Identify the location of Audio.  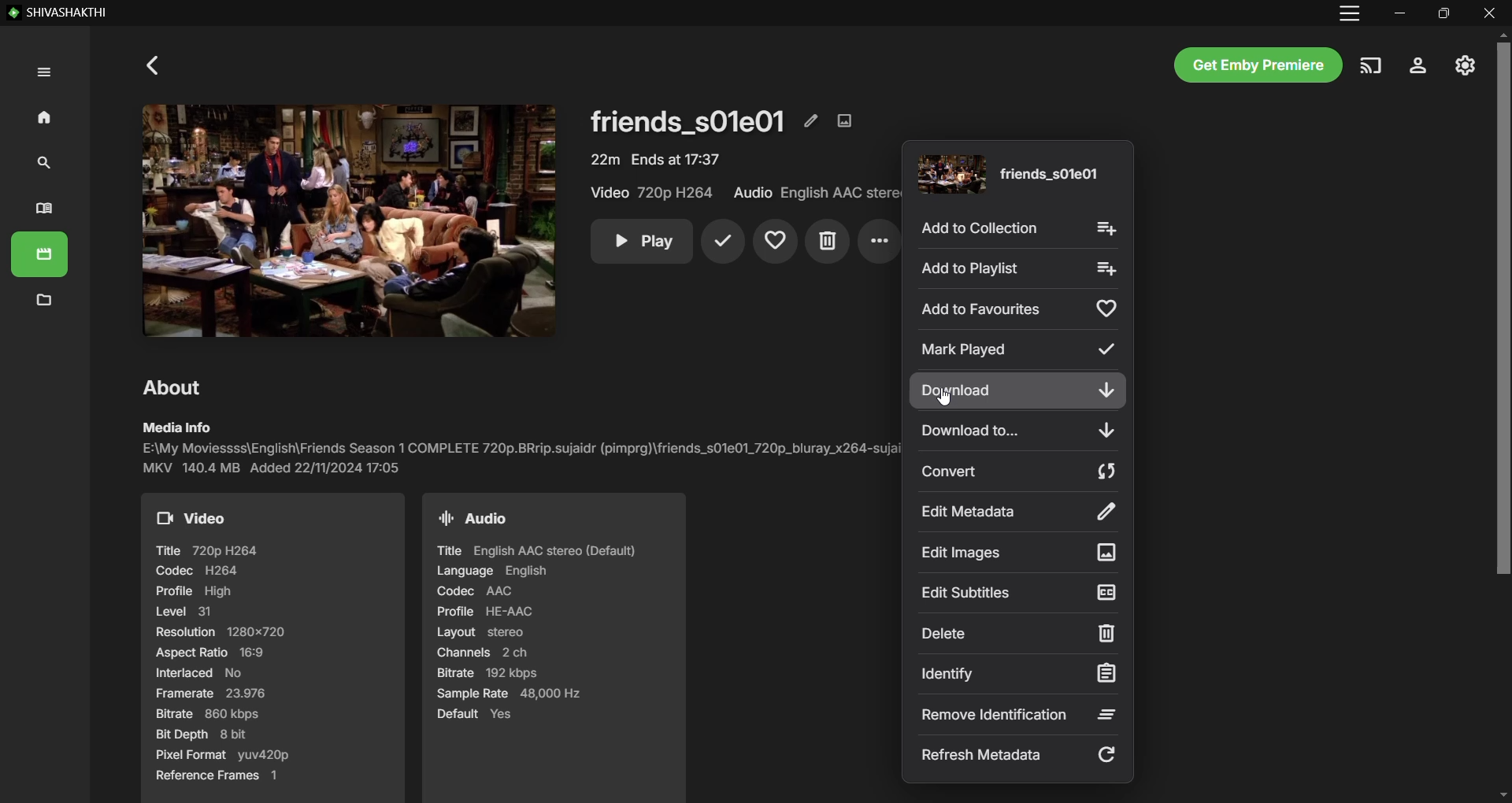
(815, 193).